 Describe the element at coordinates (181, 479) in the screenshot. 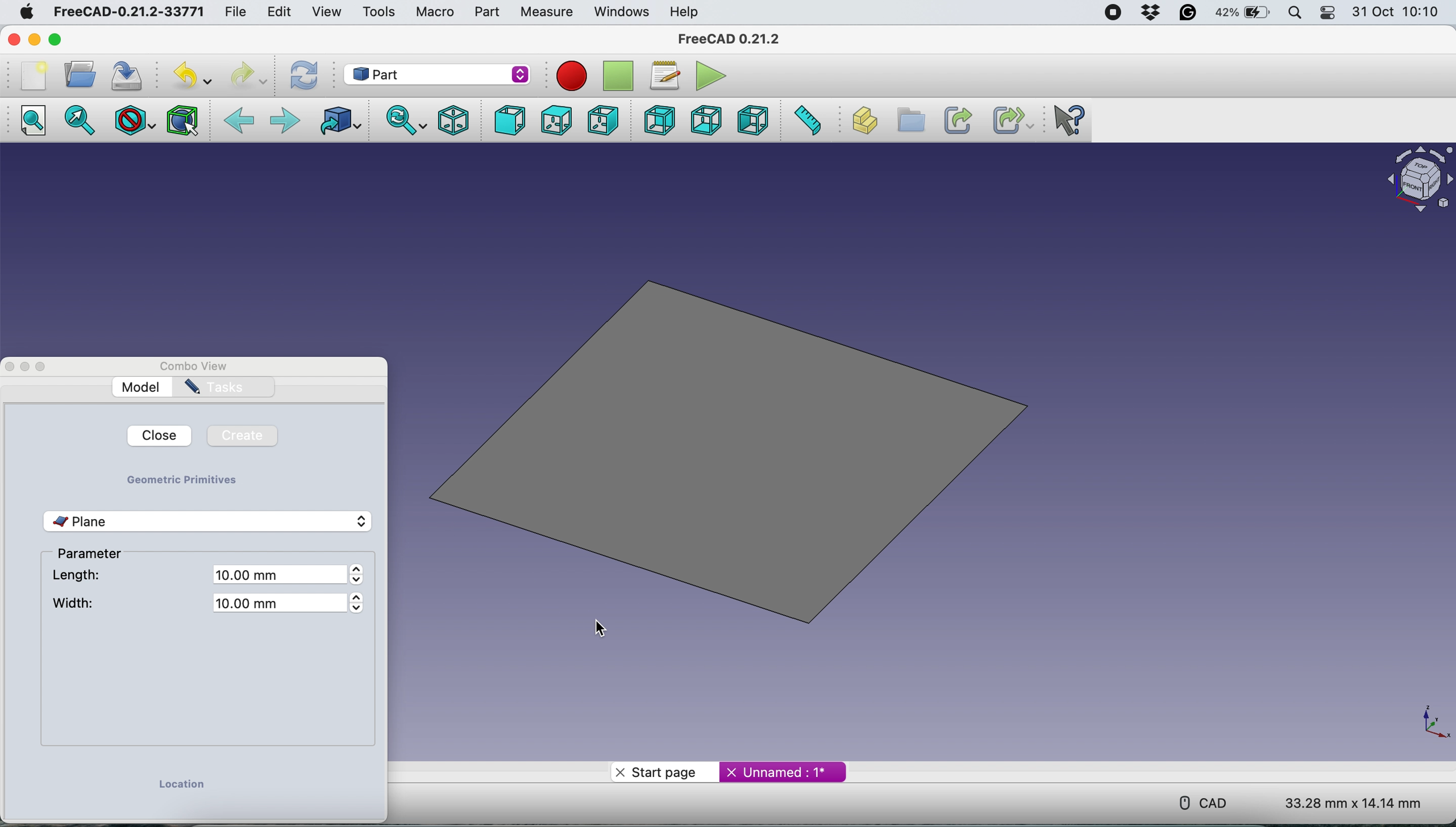

I see `geometric primitives` at that location.